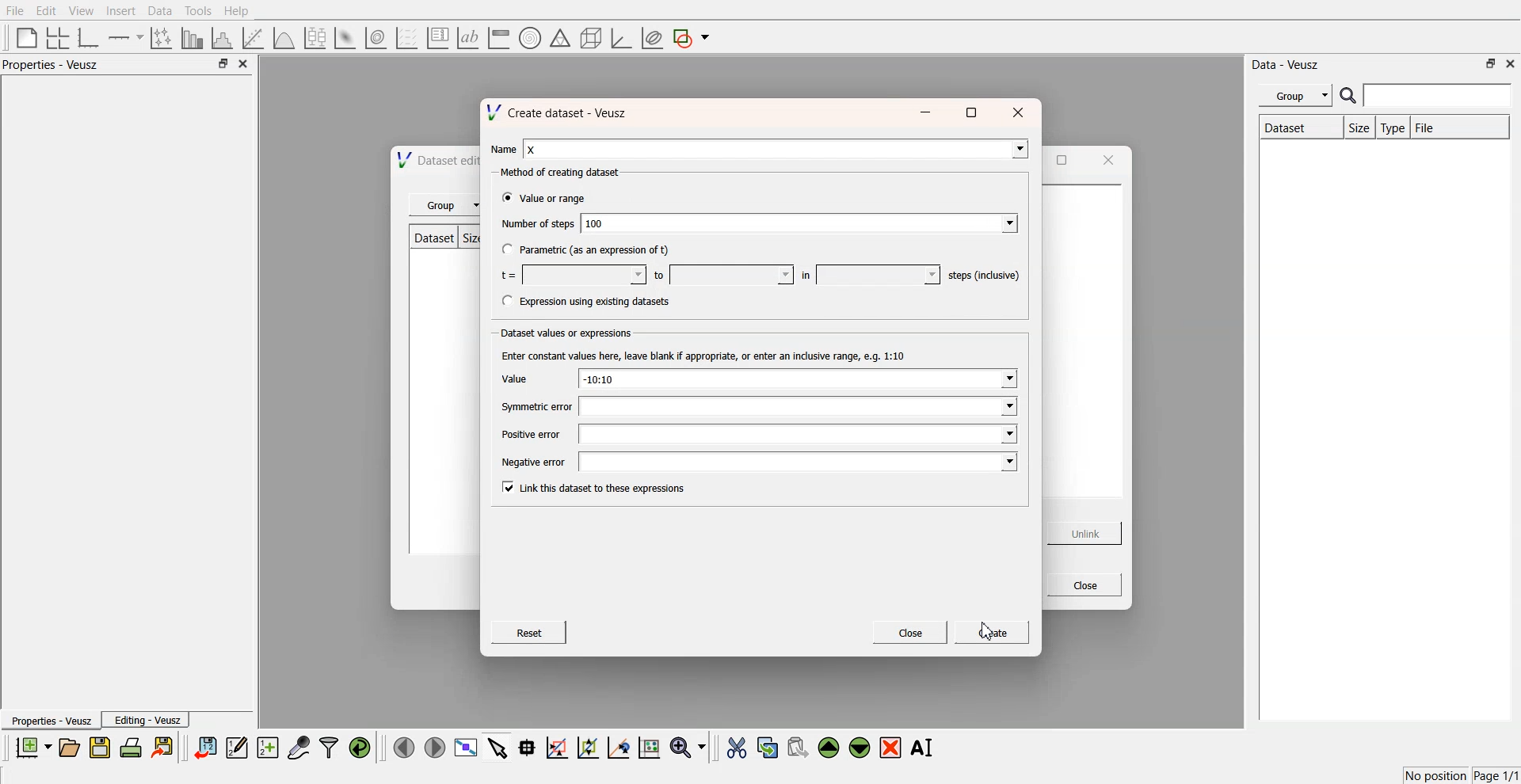 This screenshot has width=1521, height=784. I want to click on Name, so click(504, 149).